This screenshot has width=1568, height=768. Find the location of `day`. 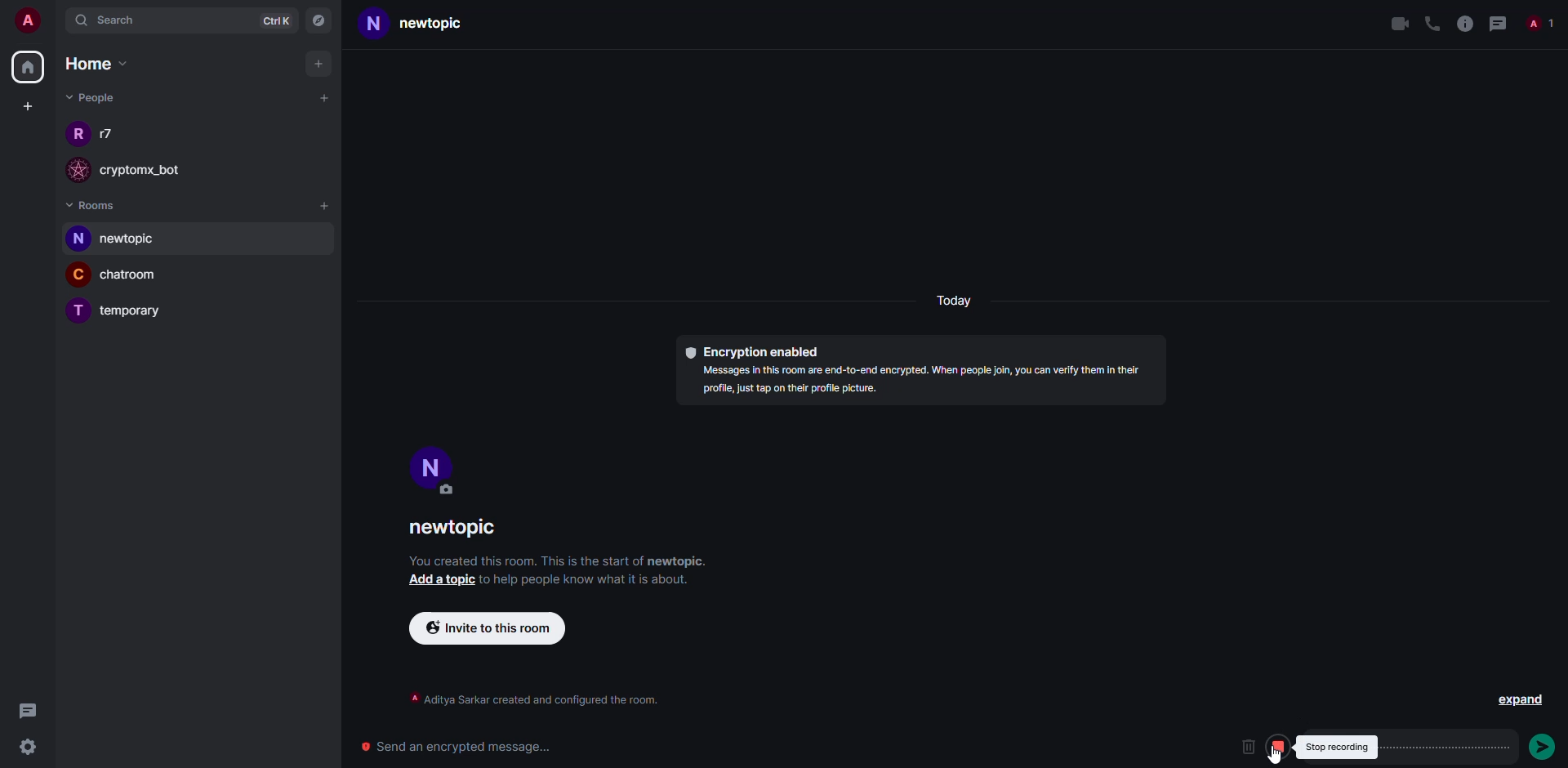

day is located at coordinates (951, 302).